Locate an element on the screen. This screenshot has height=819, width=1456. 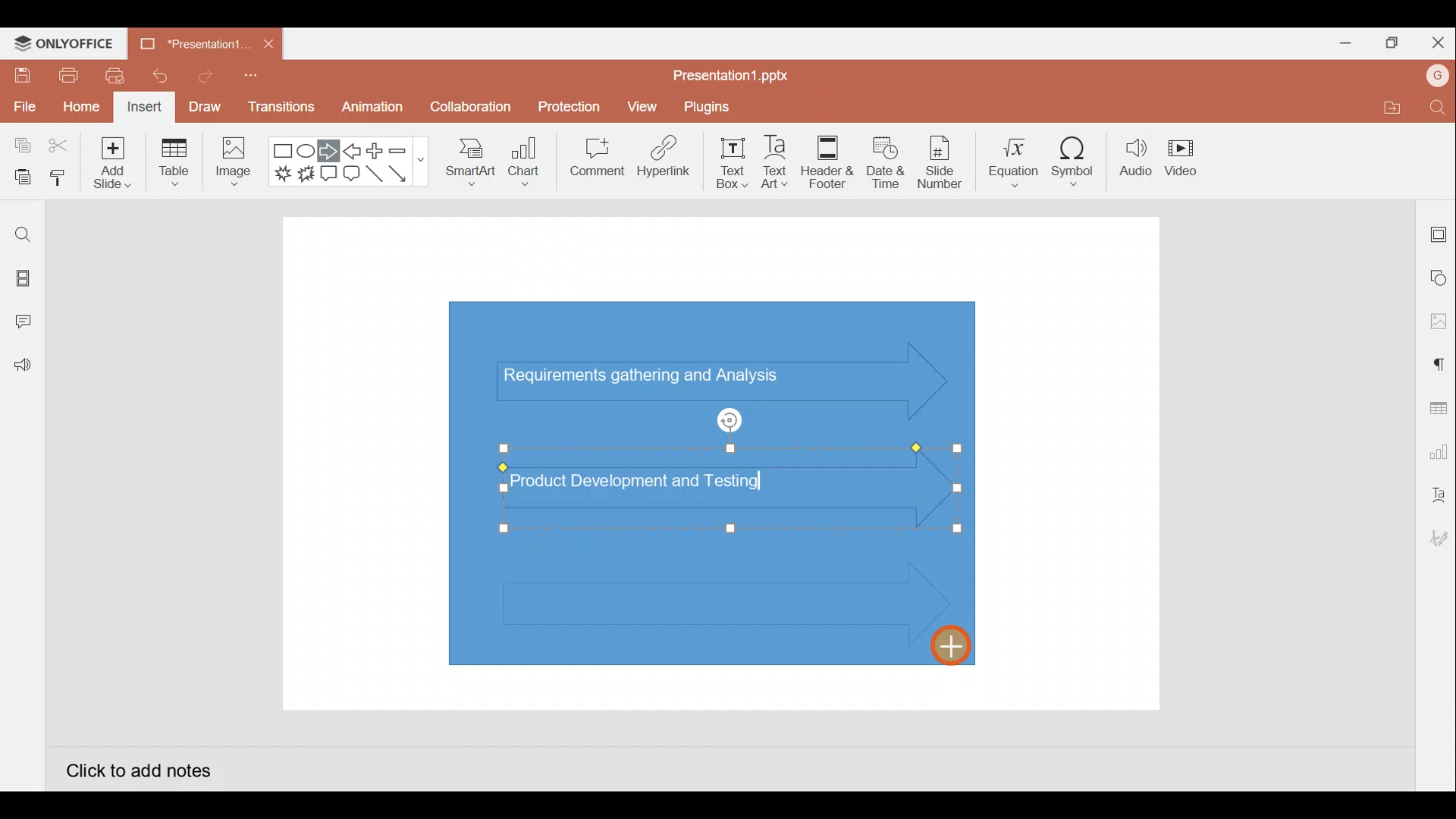
Text Art is located at coordinates (781, 158).